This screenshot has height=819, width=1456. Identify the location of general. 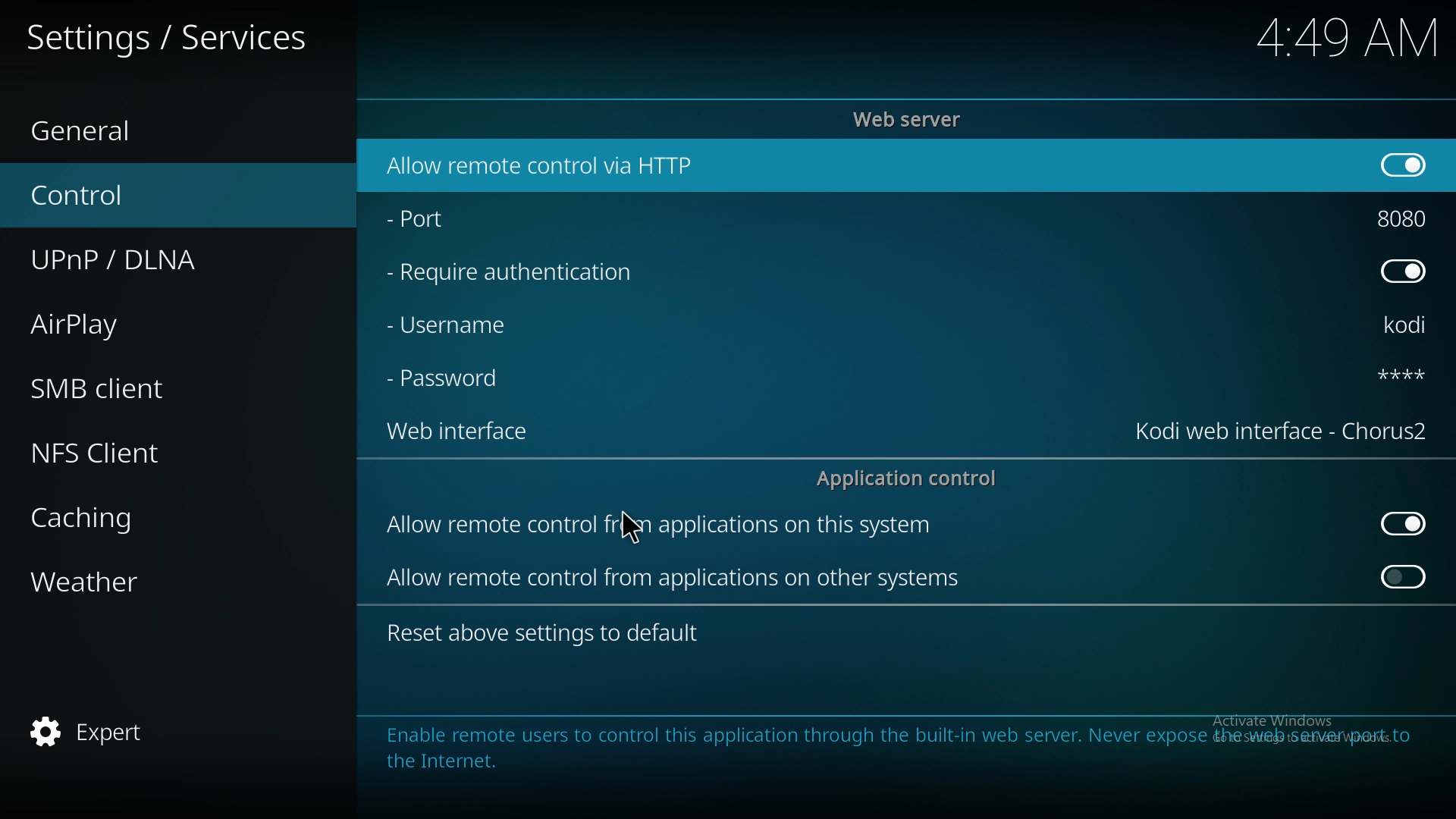
(107, 124).